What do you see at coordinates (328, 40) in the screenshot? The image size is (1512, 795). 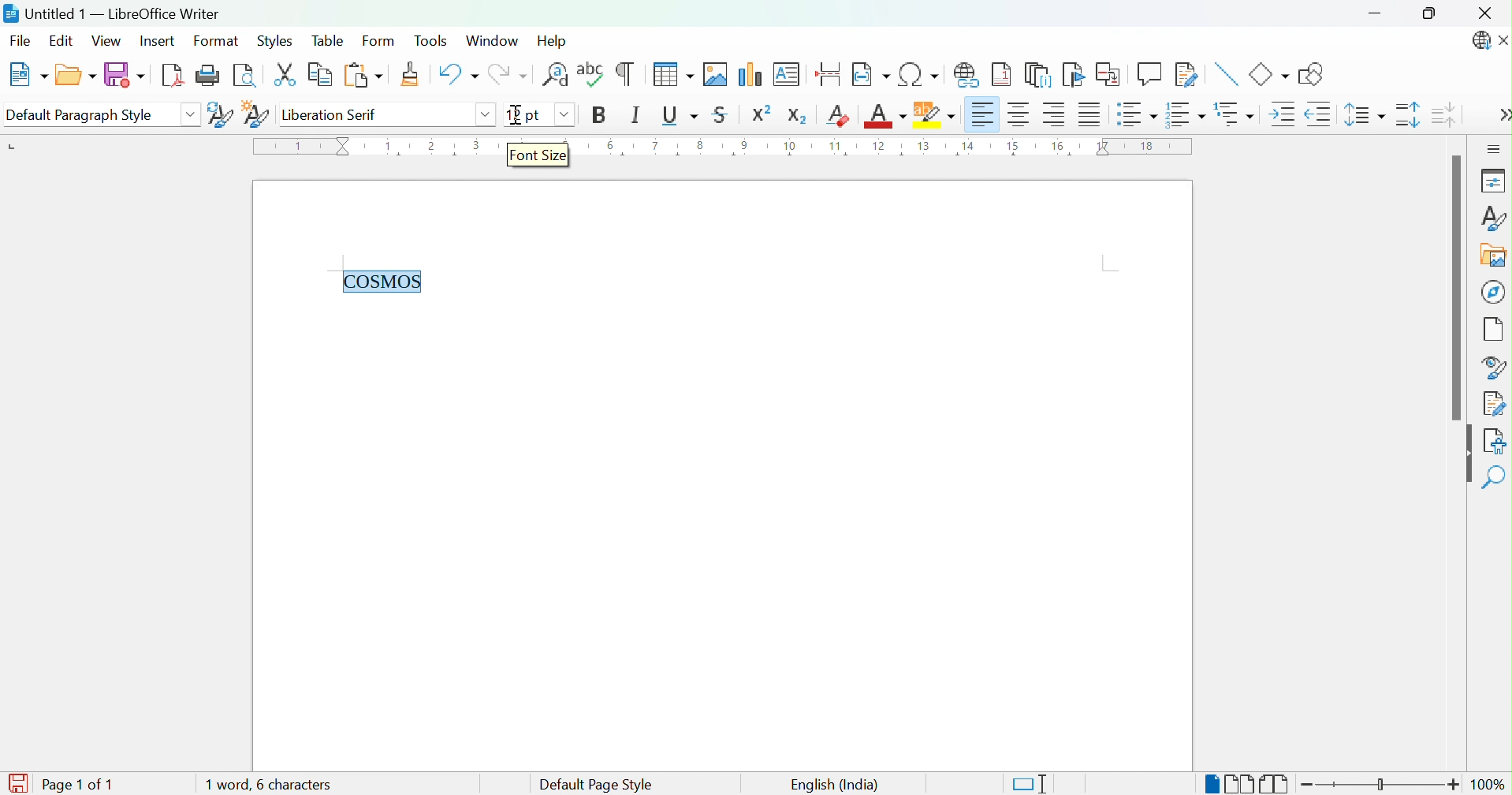 I see `Table` at bounding box center [328, 40].